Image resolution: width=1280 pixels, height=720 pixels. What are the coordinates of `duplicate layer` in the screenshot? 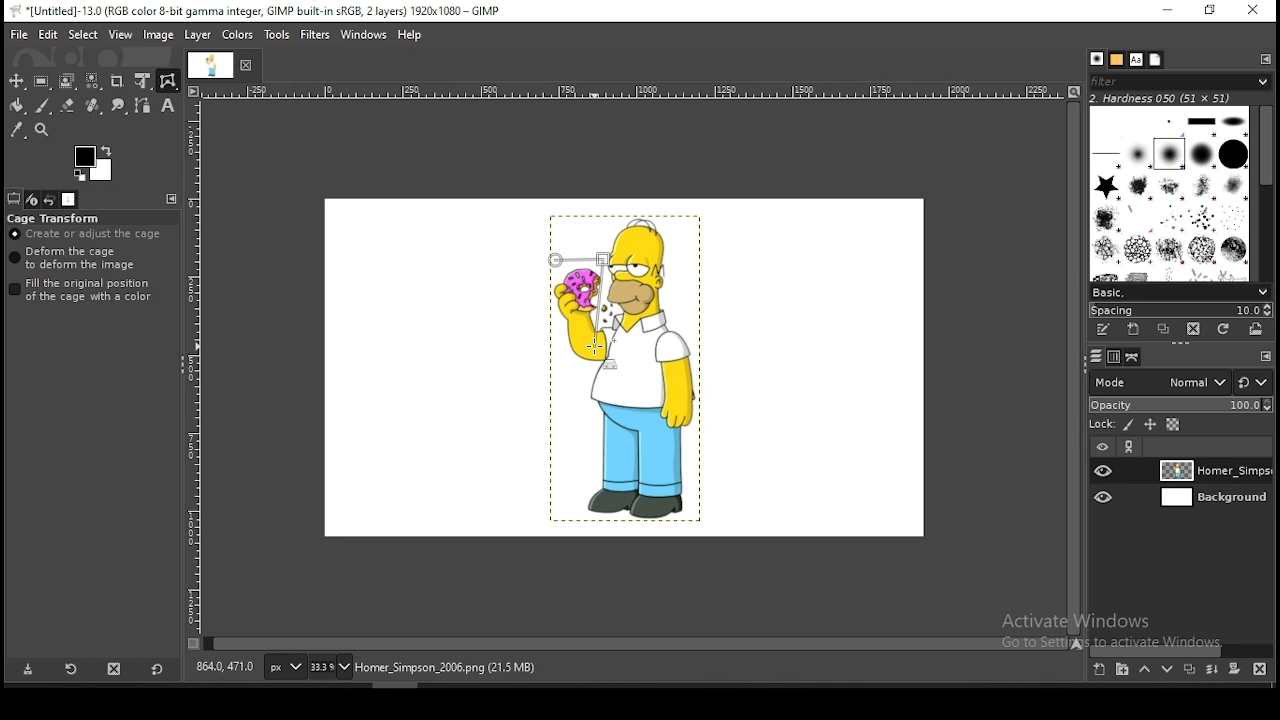 It's located at (1189, 672).